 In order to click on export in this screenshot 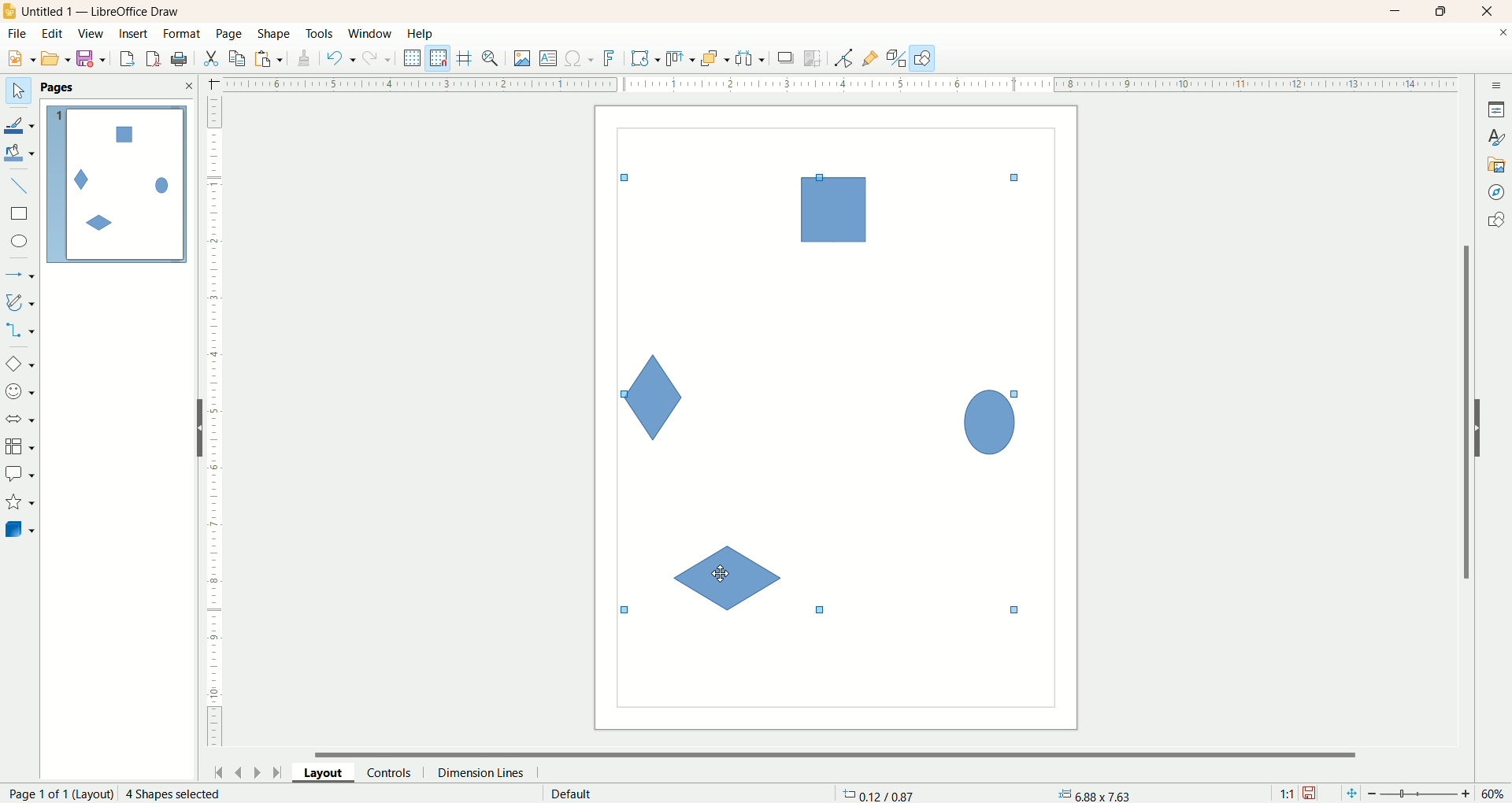, I will do `click(126, 56)`.